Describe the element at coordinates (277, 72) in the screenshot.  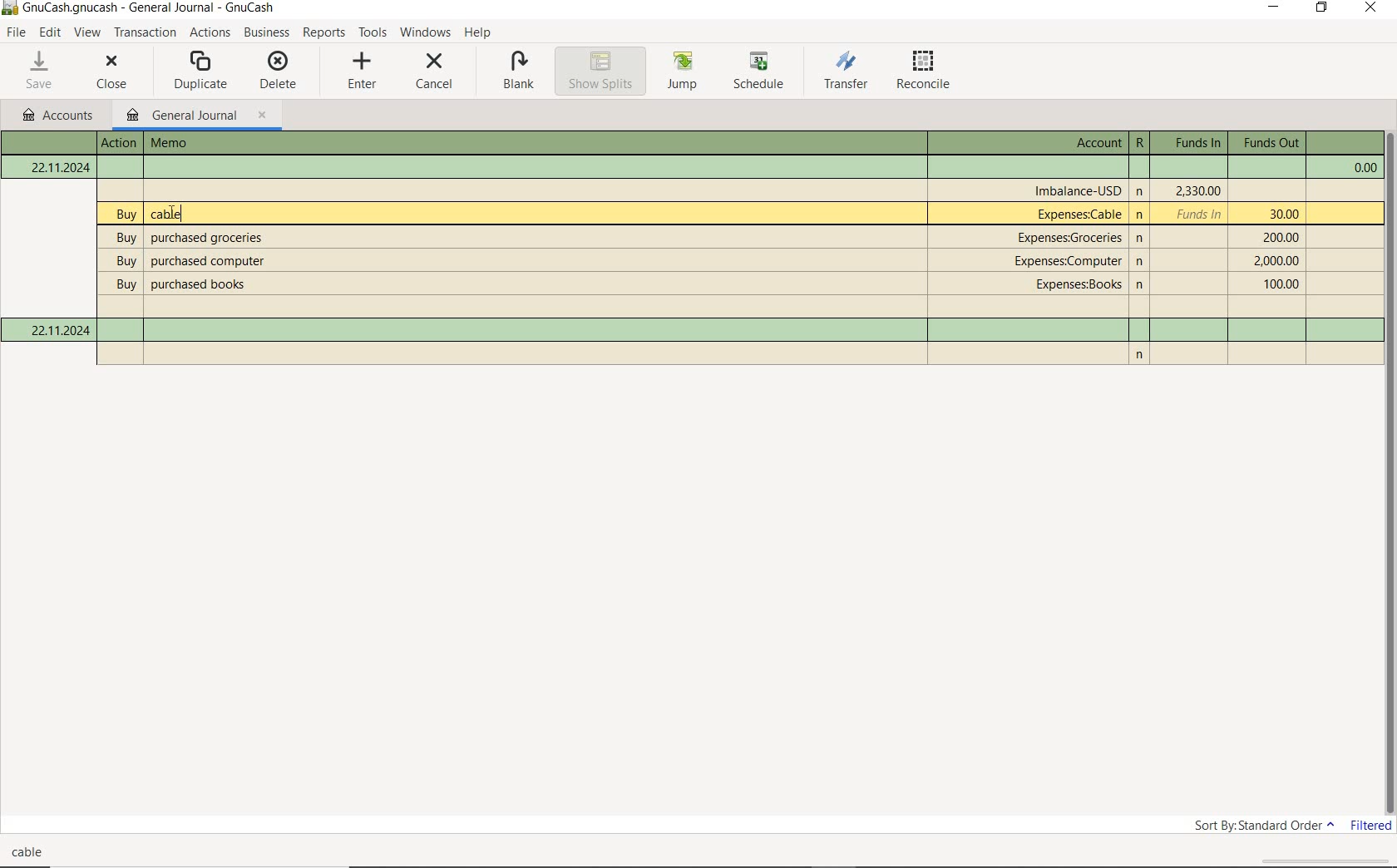
I see `delete` at that location.